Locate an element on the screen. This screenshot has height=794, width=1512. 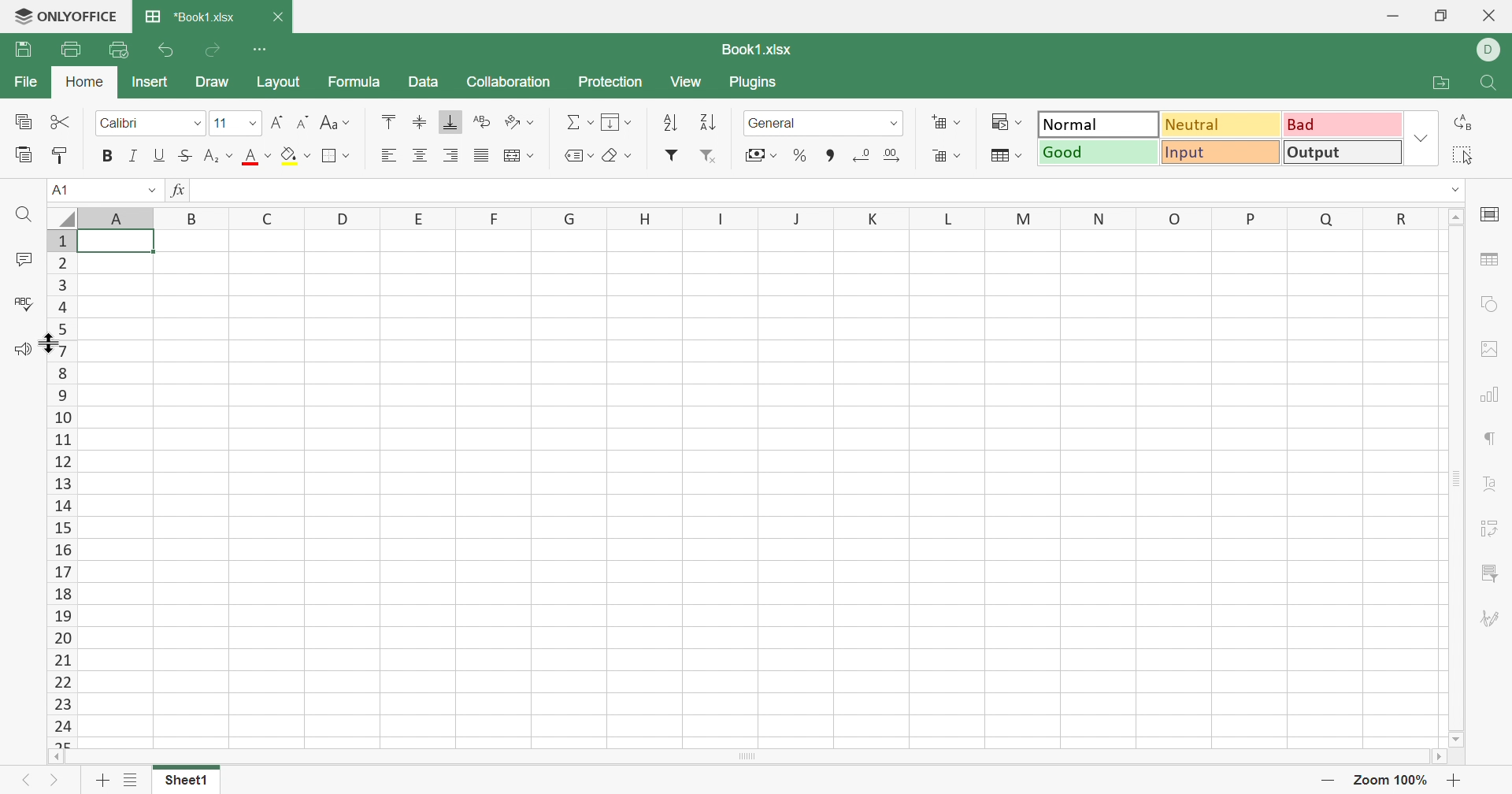
Summation is located at coordinates (577, 121).